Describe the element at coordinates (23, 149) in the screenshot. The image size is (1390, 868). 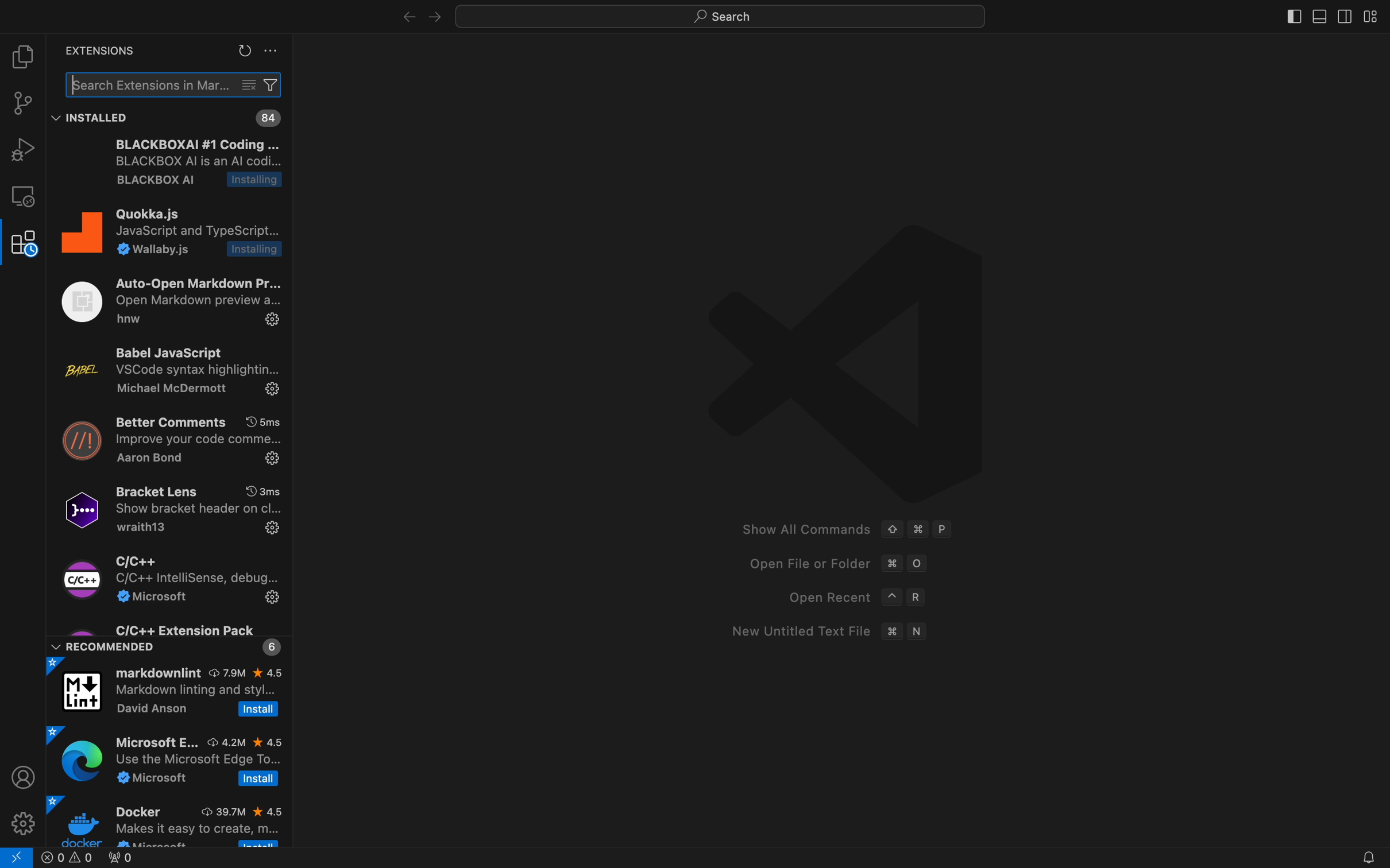
I see `debugger` at that location.